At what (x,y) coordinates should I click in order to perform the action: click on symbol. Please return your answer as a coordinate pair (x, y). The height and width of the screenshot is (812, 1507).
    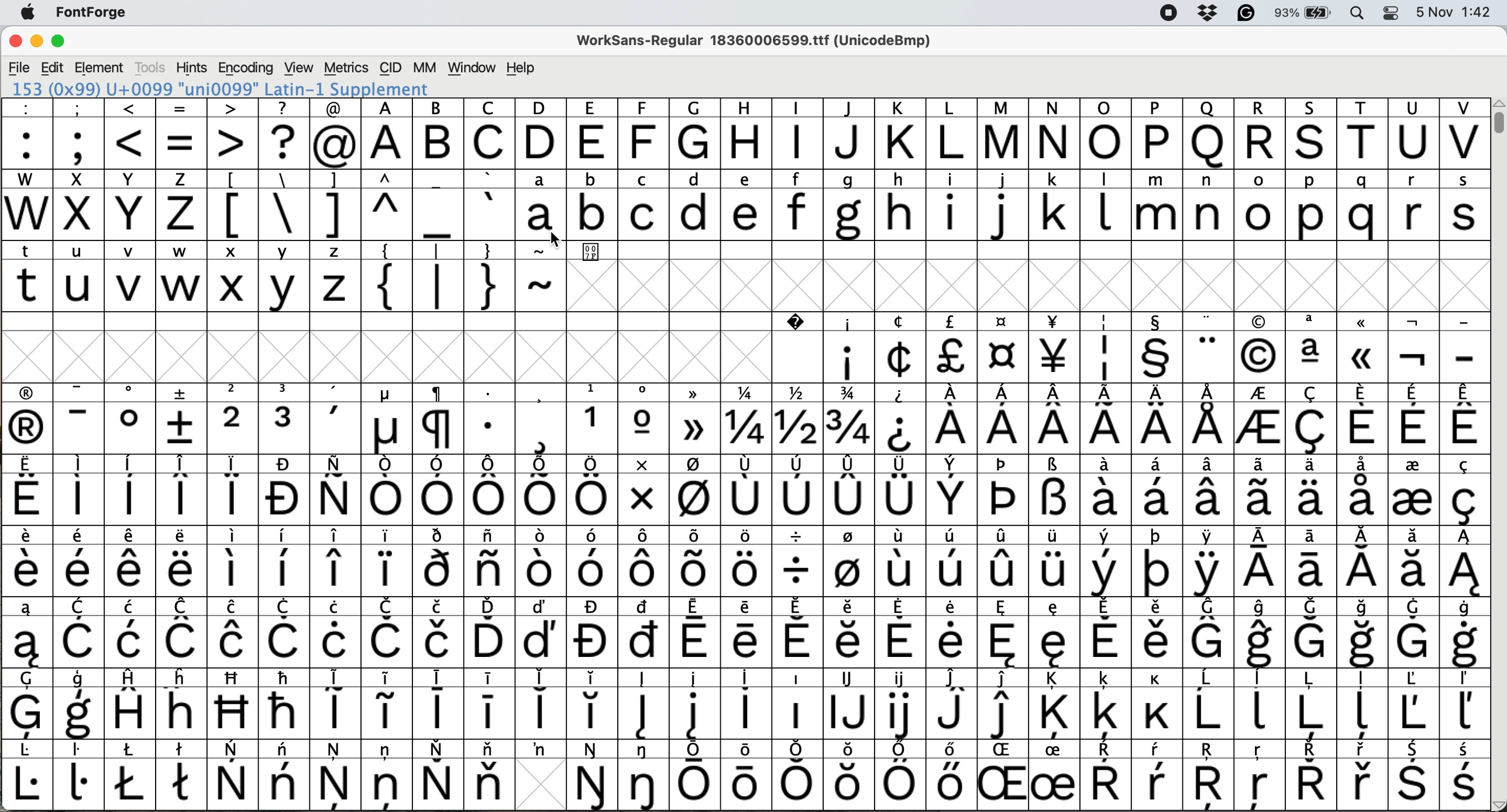
    Looking at the image, I should click on (849, 703).